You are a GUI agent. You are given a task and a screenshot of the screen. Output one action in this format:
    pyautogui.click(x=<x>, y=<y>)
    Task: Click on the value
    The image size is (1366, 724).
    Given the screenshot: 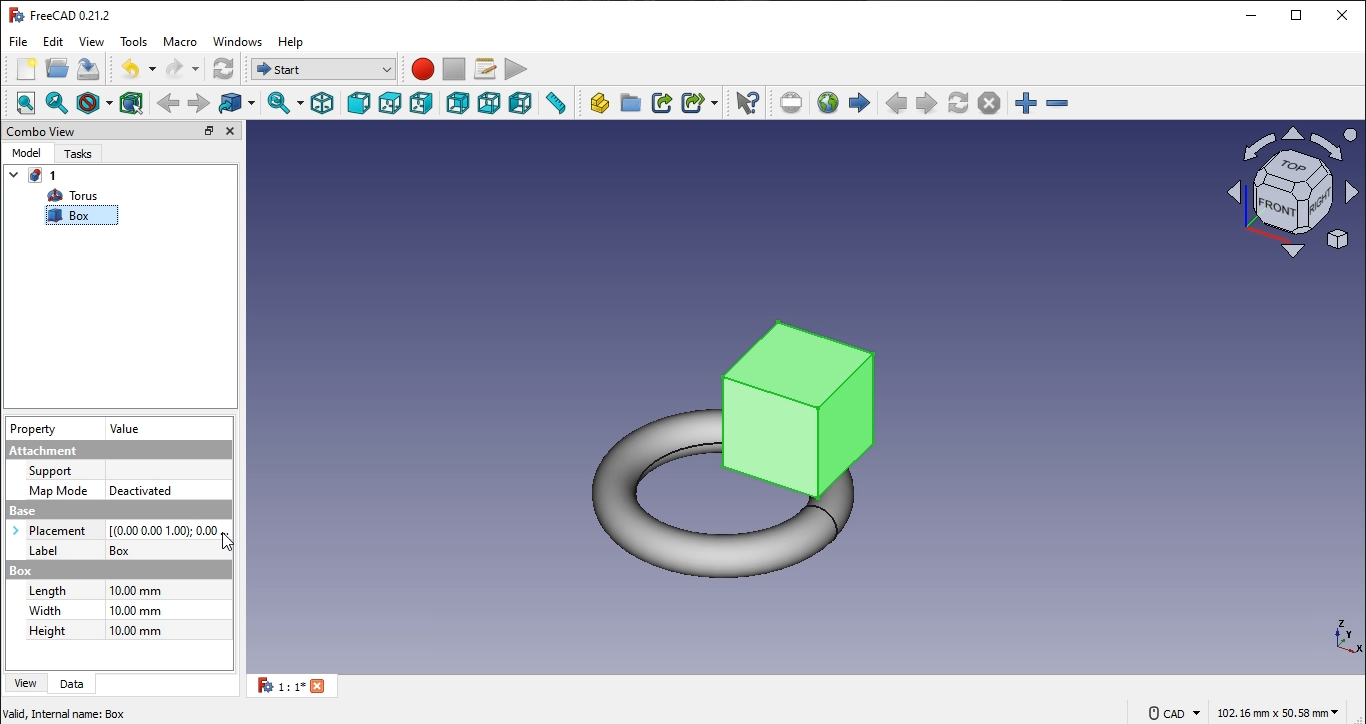 What is the action you would take?
    pyautogui.click(x=126, y=429)
    